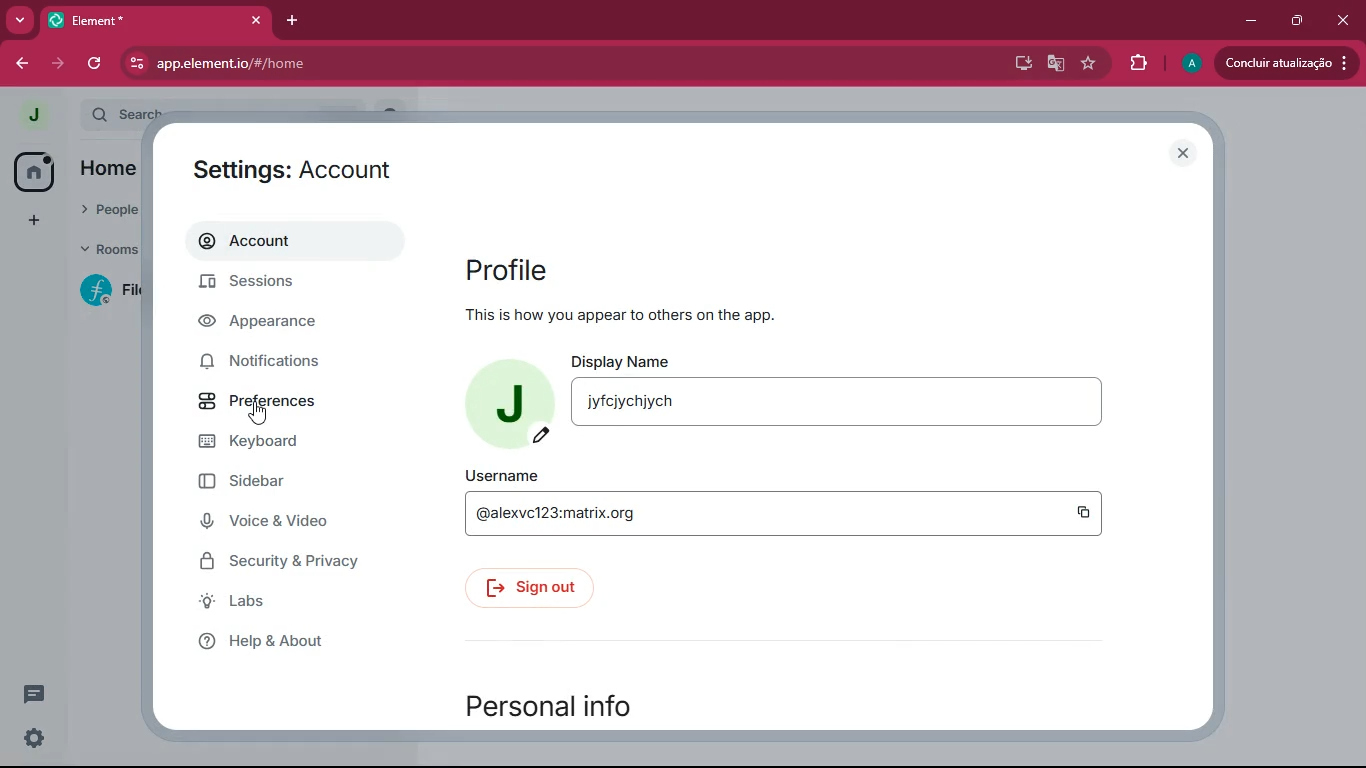  I want to click on labs, so click(277, 604).